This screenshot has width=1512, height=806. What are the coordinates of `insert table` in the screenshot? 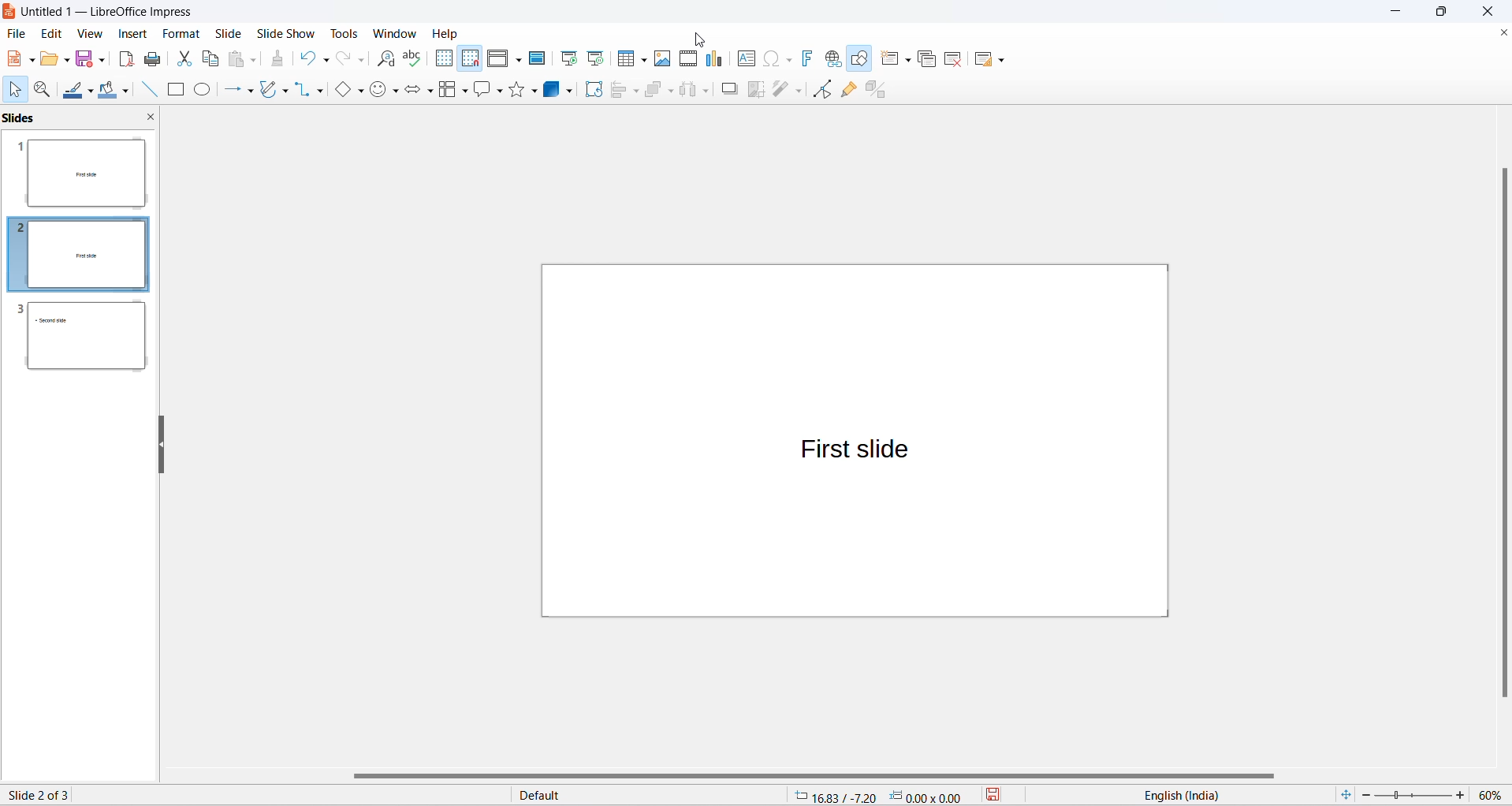 It's located at (625, 61).